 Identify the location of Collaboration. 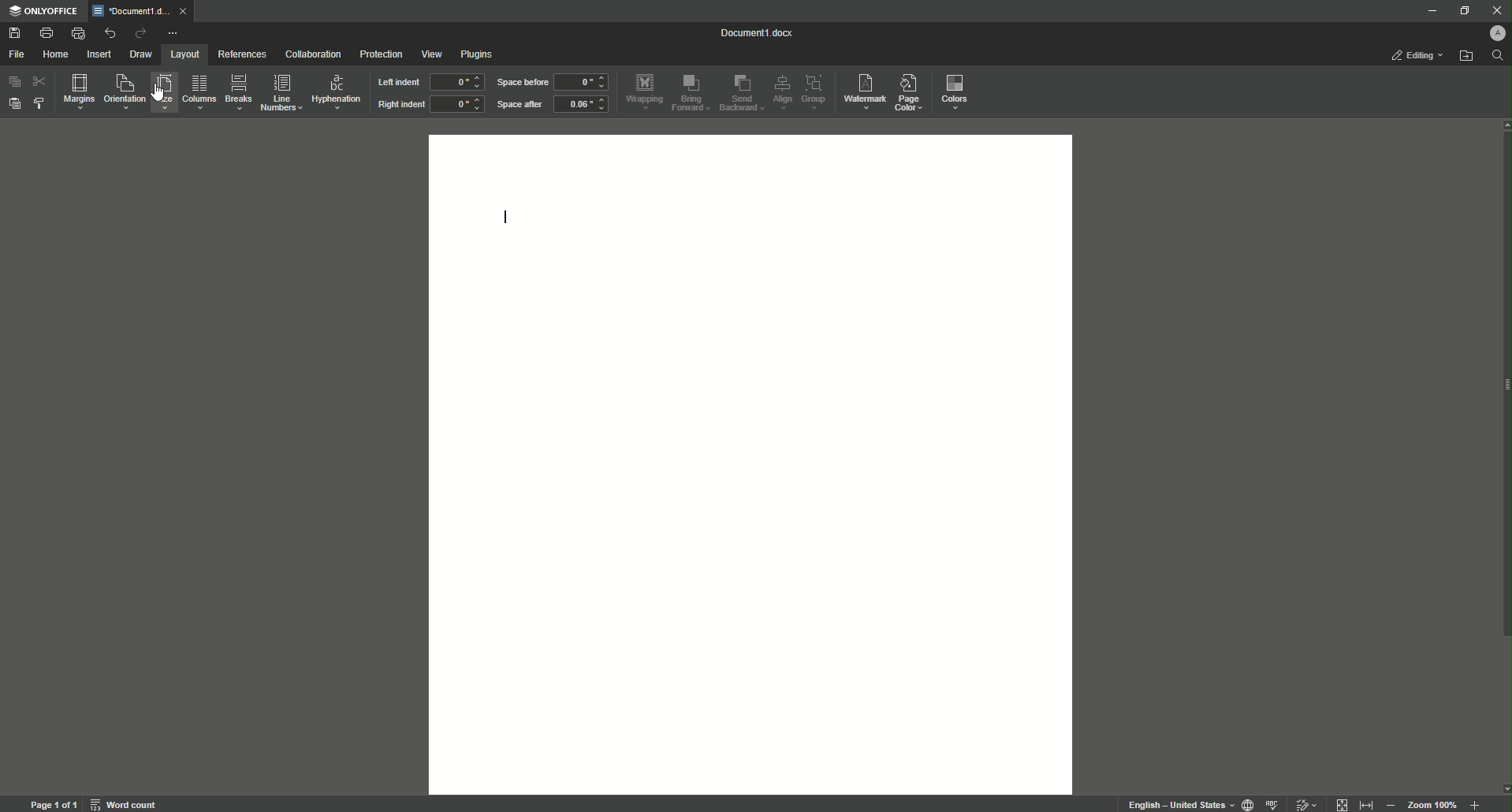
(313, 54).